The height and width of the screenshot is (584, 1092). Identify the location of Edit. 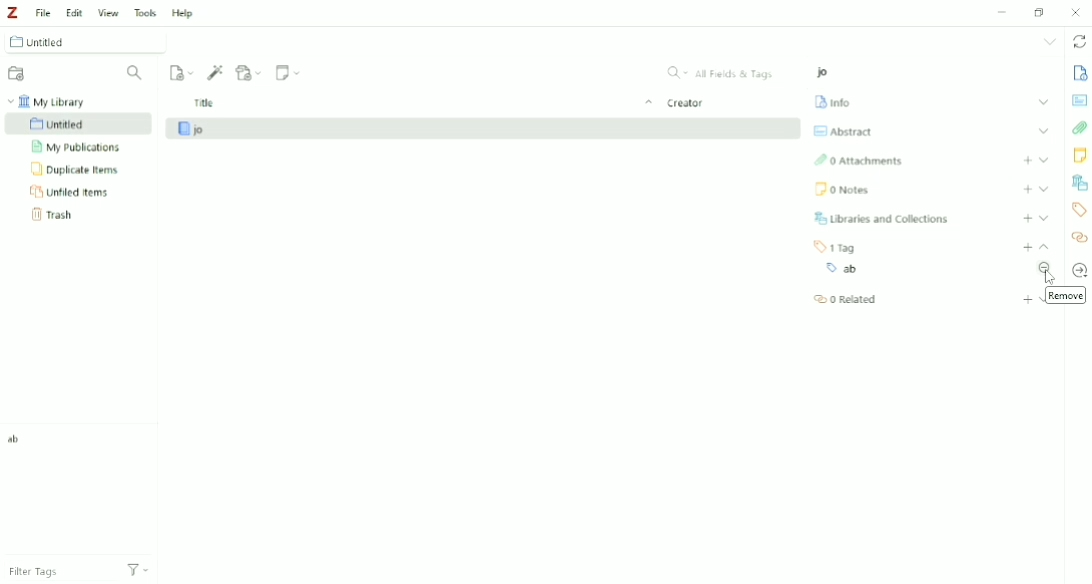
(75, 12).